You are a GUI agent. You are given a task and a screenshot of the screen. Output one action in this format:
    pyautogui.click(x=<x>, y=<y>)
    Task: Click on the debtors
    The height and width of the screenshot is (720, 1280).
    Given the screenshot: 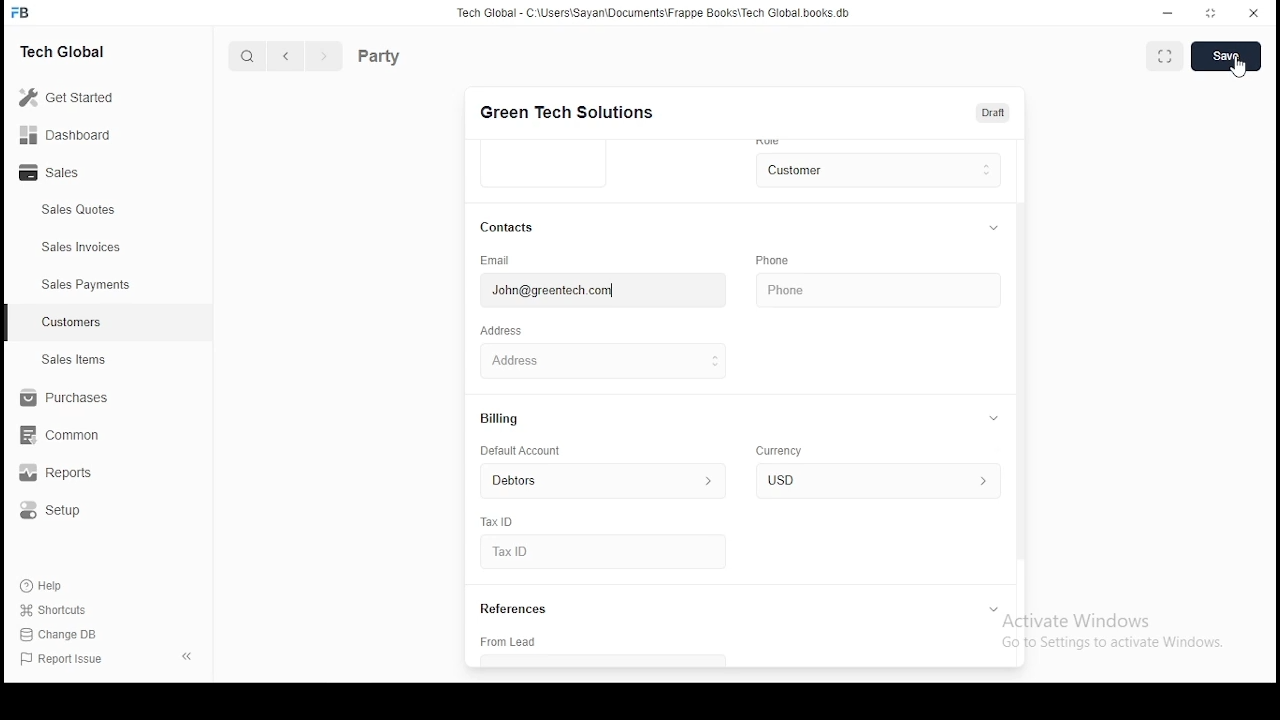 What is the action you would take?
    pyautogui.click(x=594, y=480)
    